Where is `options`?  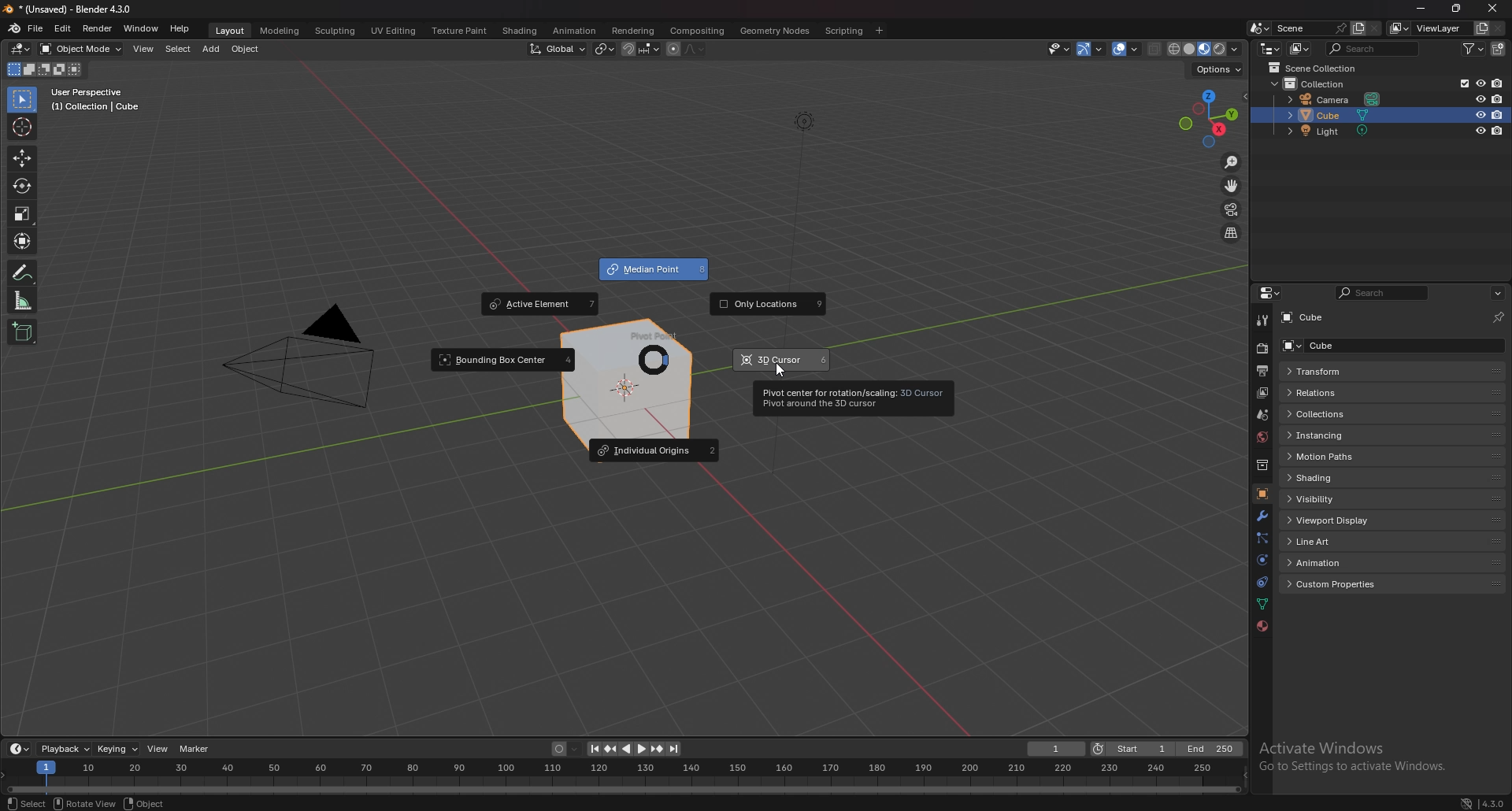
options is located at coordinates (1219, 70).